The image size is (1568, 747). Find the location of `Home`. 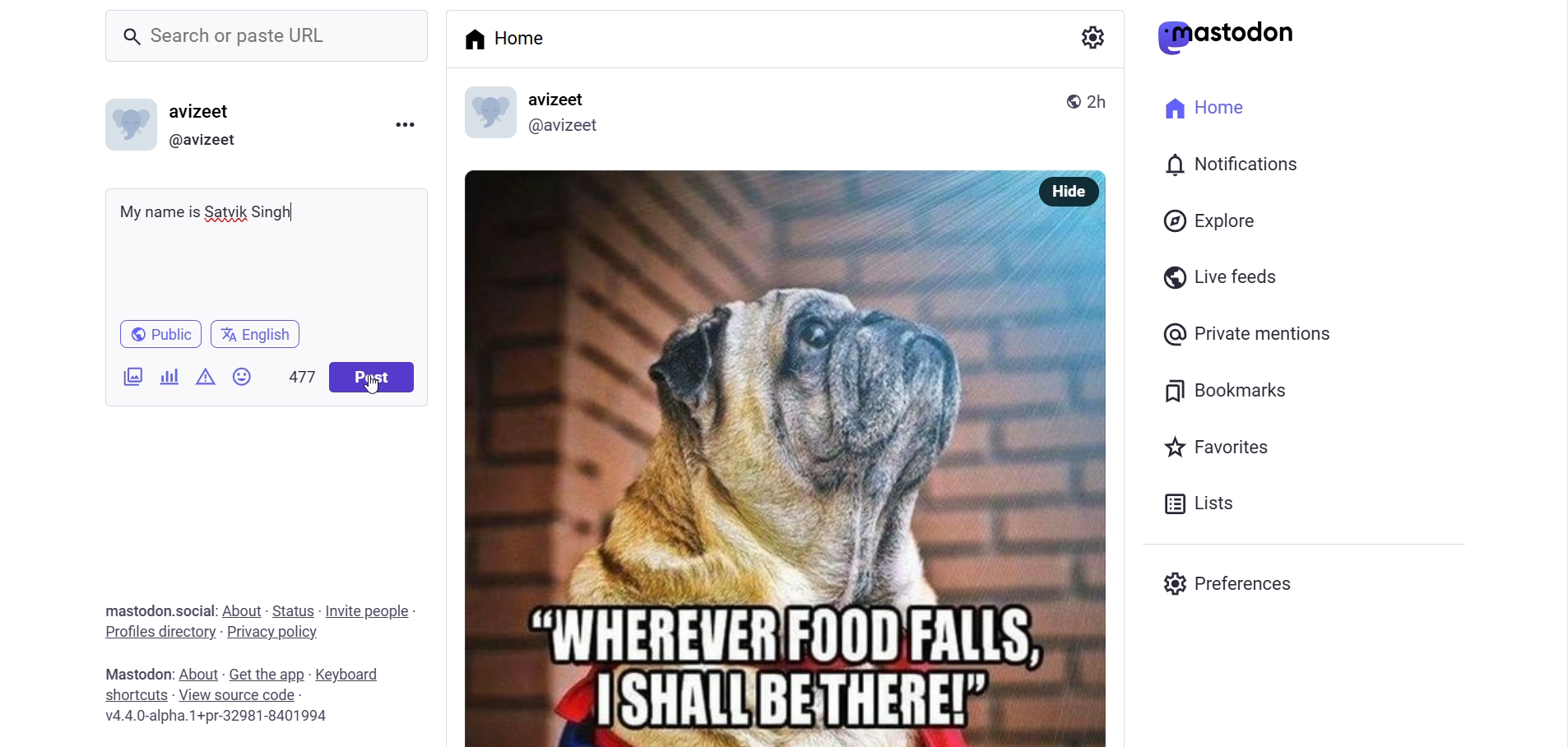

Home is located at coordinates (1203, 105).